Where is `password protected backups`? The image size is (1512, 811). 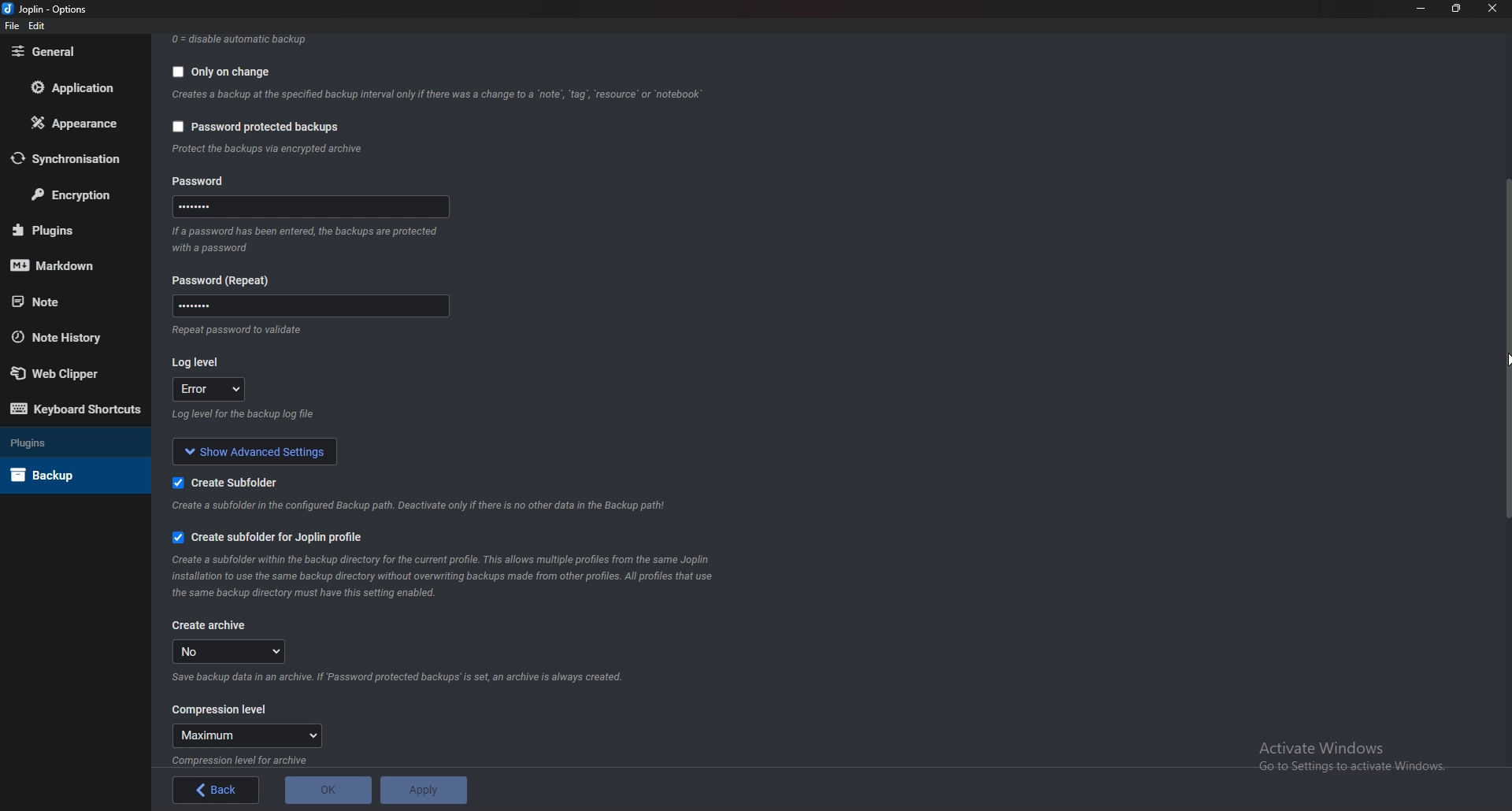
password protected backups is located at coordinates (257, 130).